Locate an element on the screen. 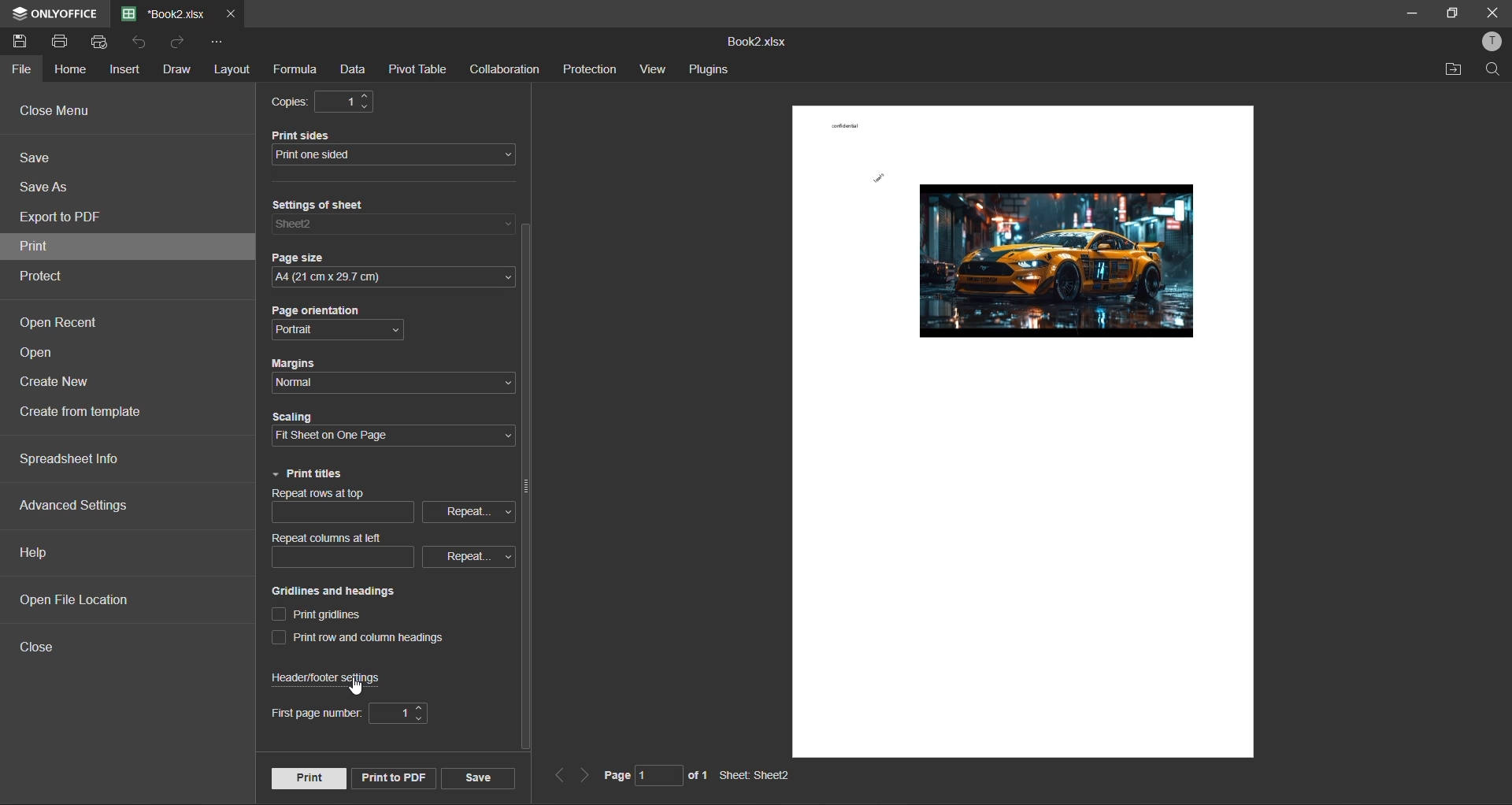 This screenshot has height=805, width=1512. quick print is located at coordinates (103, 42).